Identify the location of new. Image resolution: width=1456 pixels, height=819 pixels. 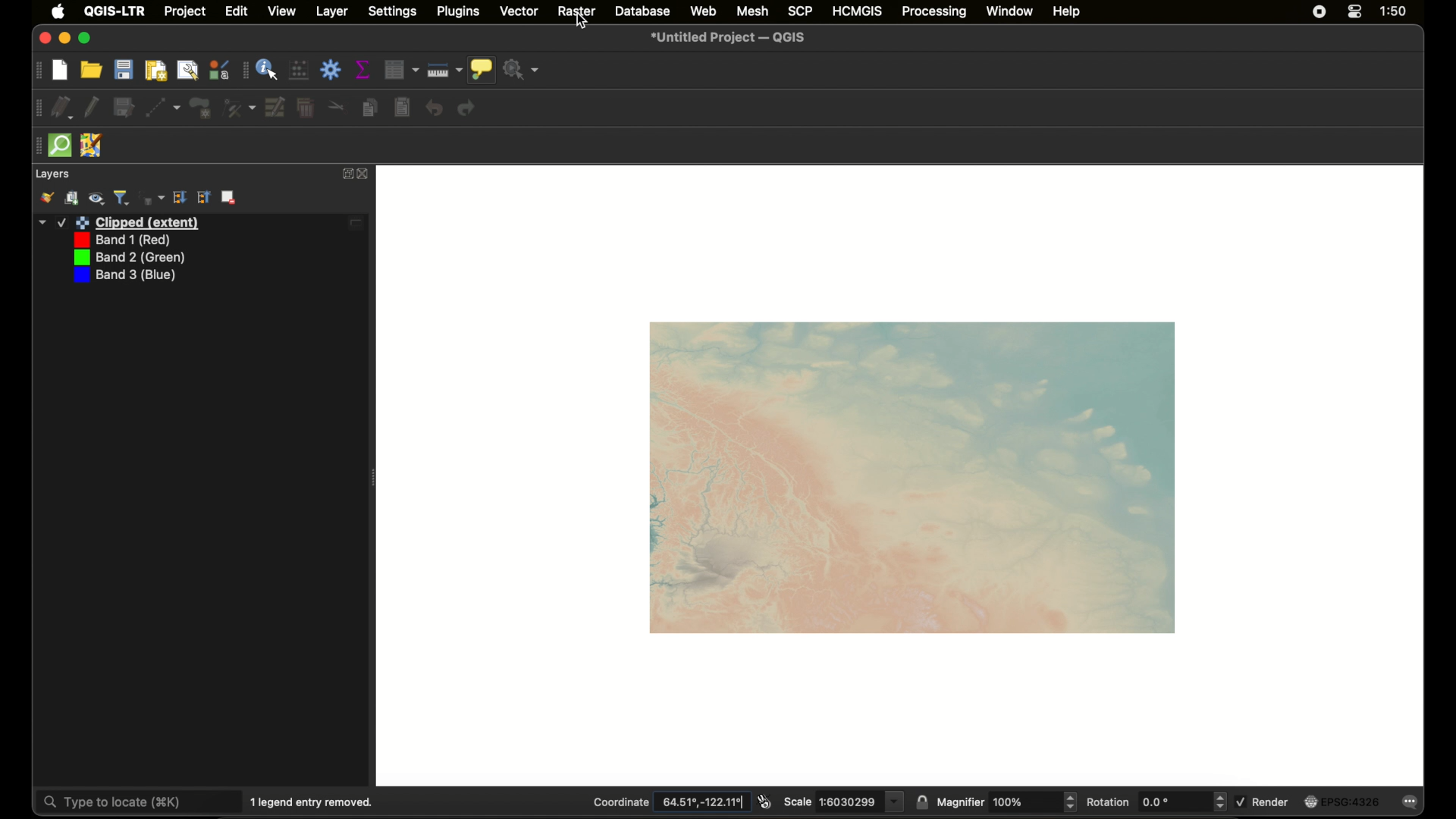
(60, 71).